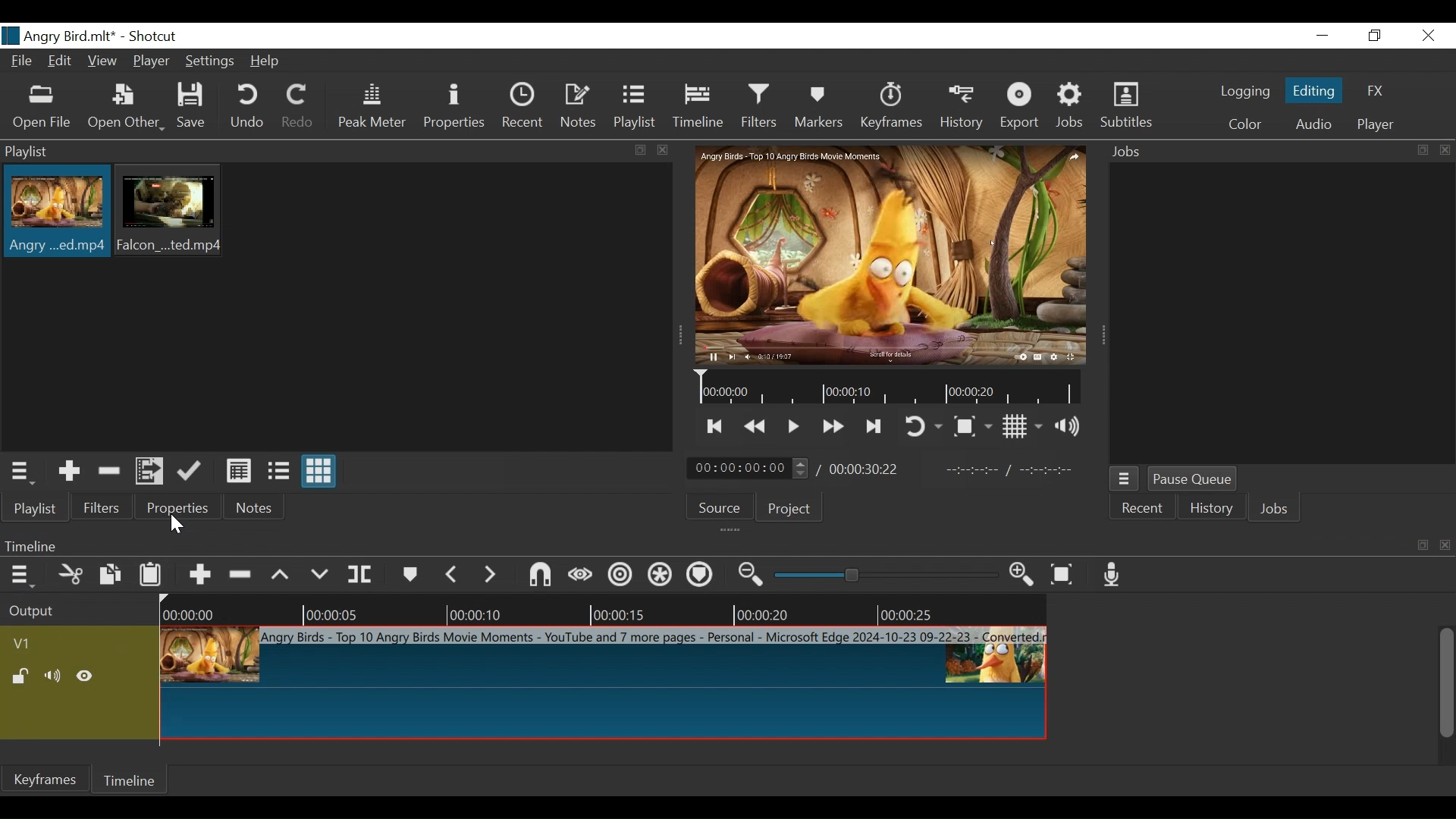 This screenshot has height=819, width=1456. I want to click on Markers, so click(821, 108).